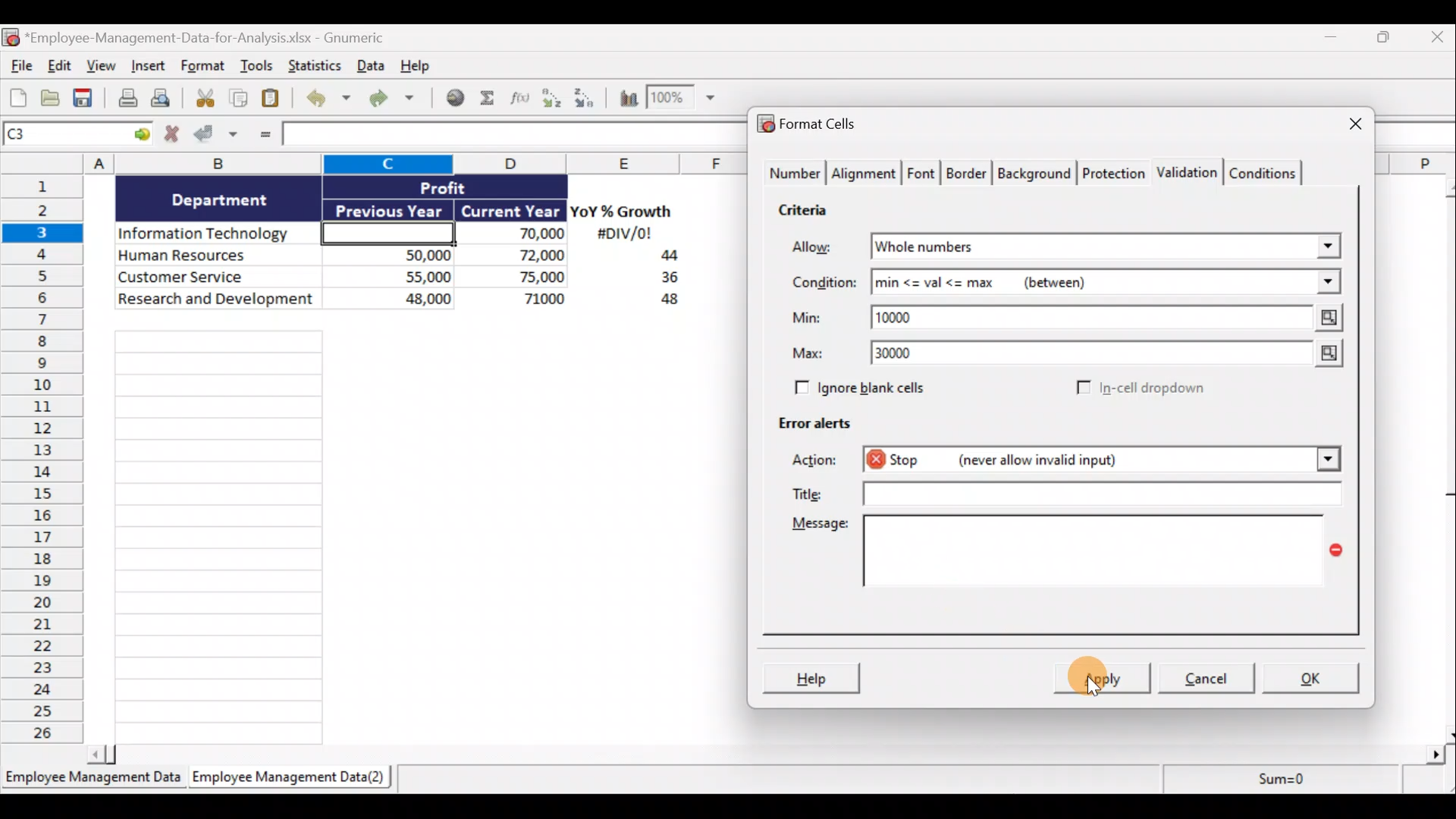 This screenshot has height=819, width=1456. I want to click on Format cells, so click(811, 126).